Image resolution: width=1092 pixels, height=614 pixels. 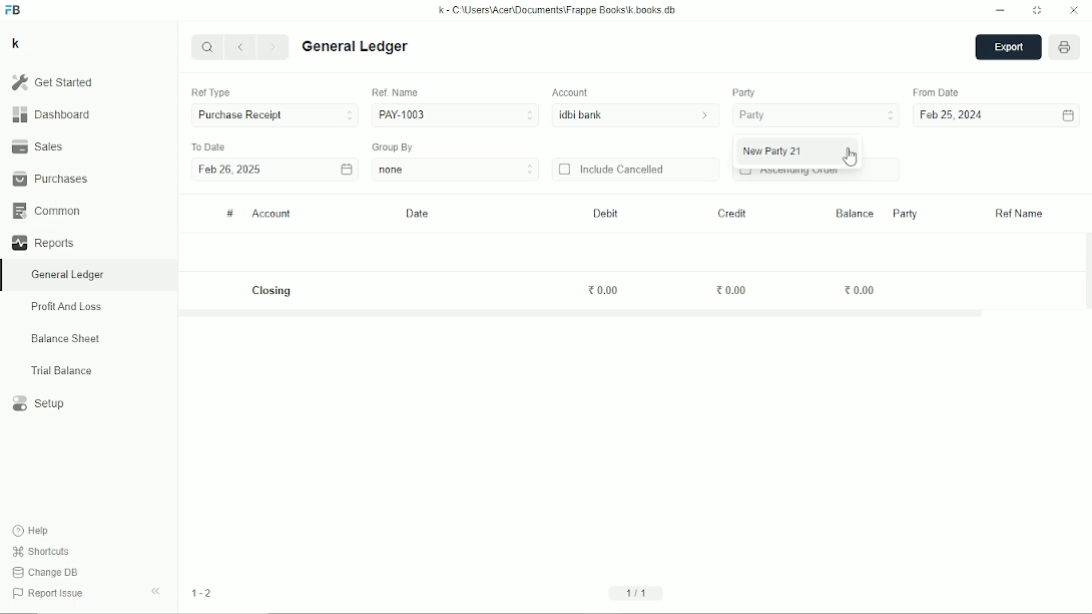 I want to click on Group by, so click(x=394, y=147).